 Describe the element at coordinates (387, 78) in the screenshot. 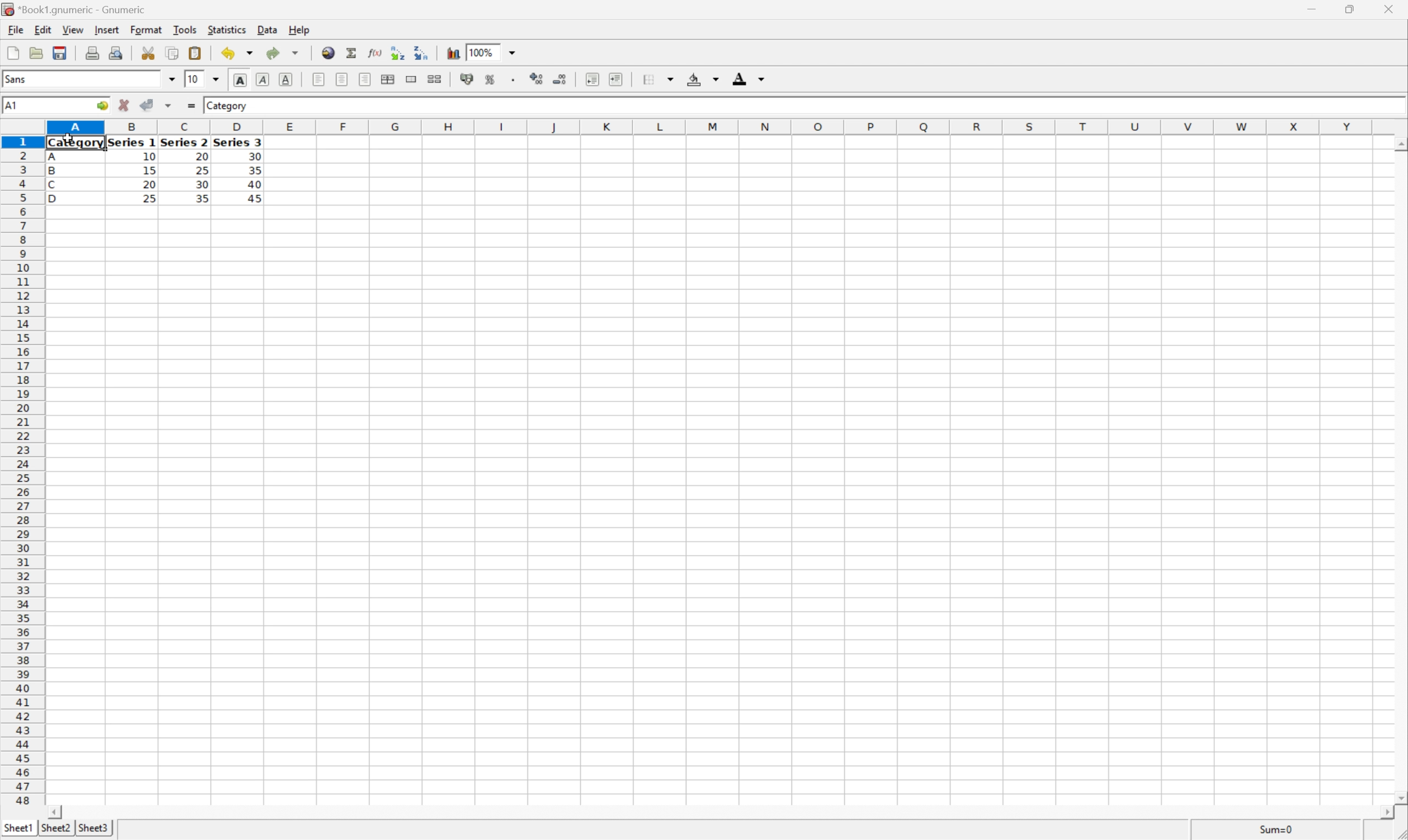

I see `Center horizontally across selection` at that location.